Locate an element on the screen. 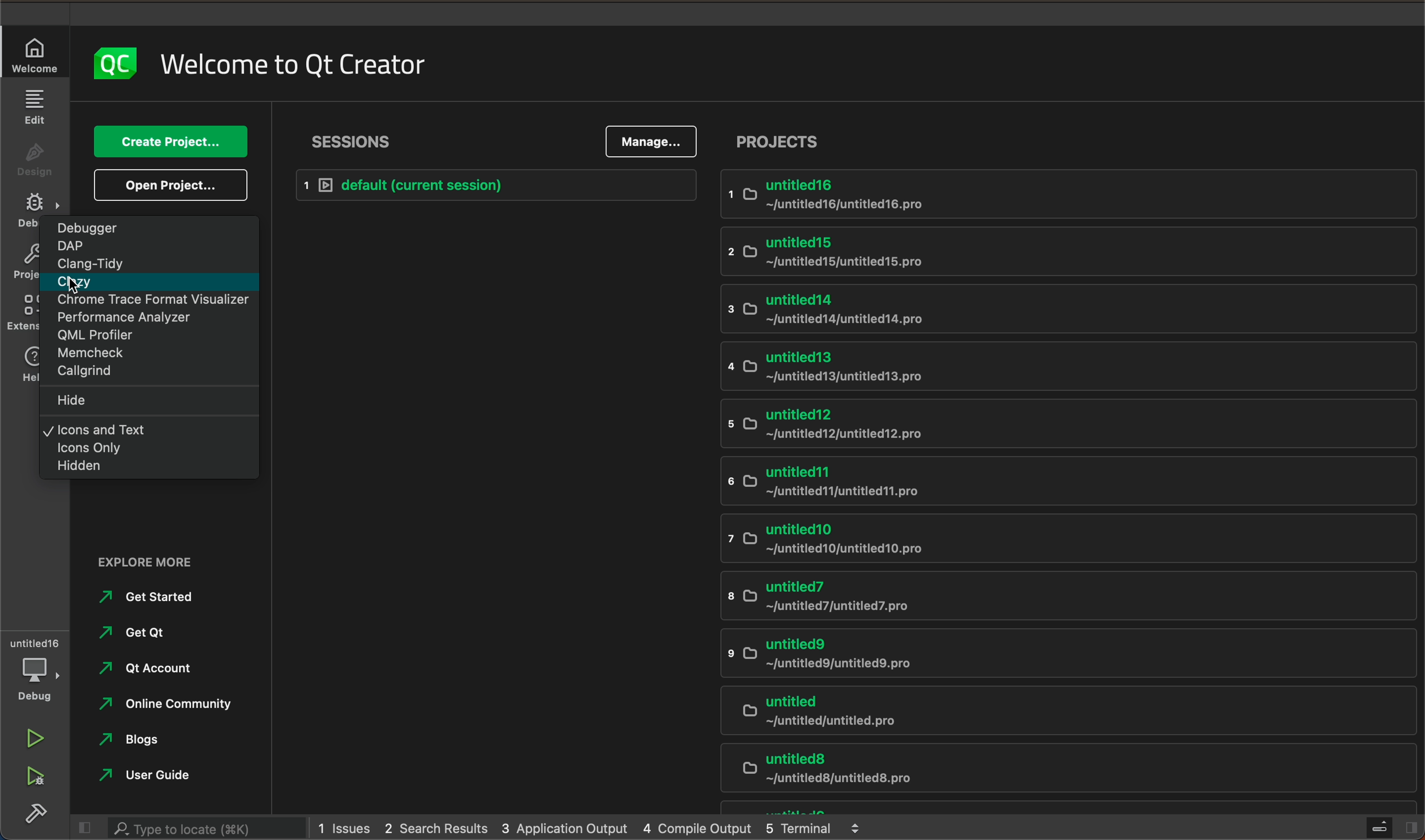 The height and width of the screenshot is (840, 1425).  is located at coordinates (28, 363).